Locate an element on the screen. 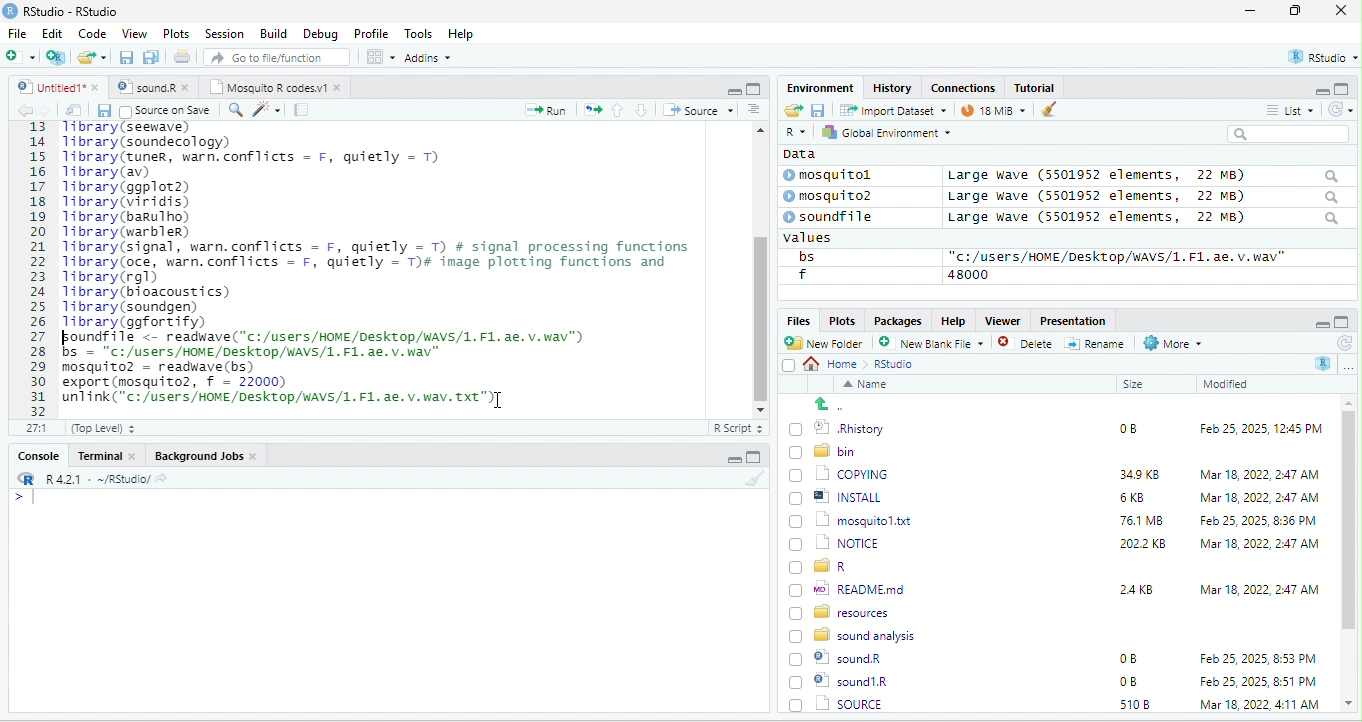 Image resolution: width=1362 pixels, height=722 pixels. maximize is located at coordinates (1342, 322).